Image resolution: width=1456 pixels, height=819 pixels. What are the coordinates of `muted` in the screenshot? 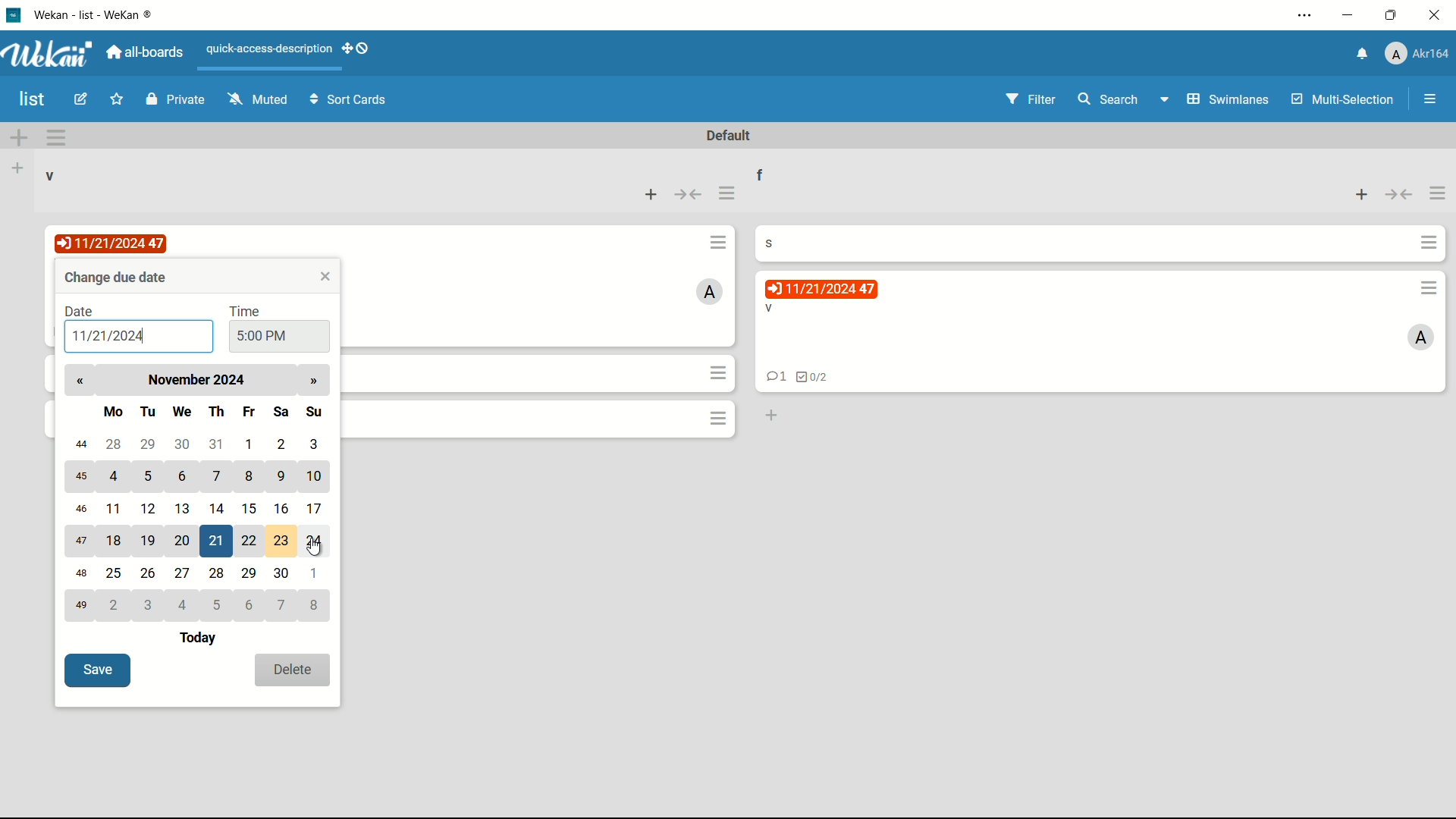 It's located at (258, 100).